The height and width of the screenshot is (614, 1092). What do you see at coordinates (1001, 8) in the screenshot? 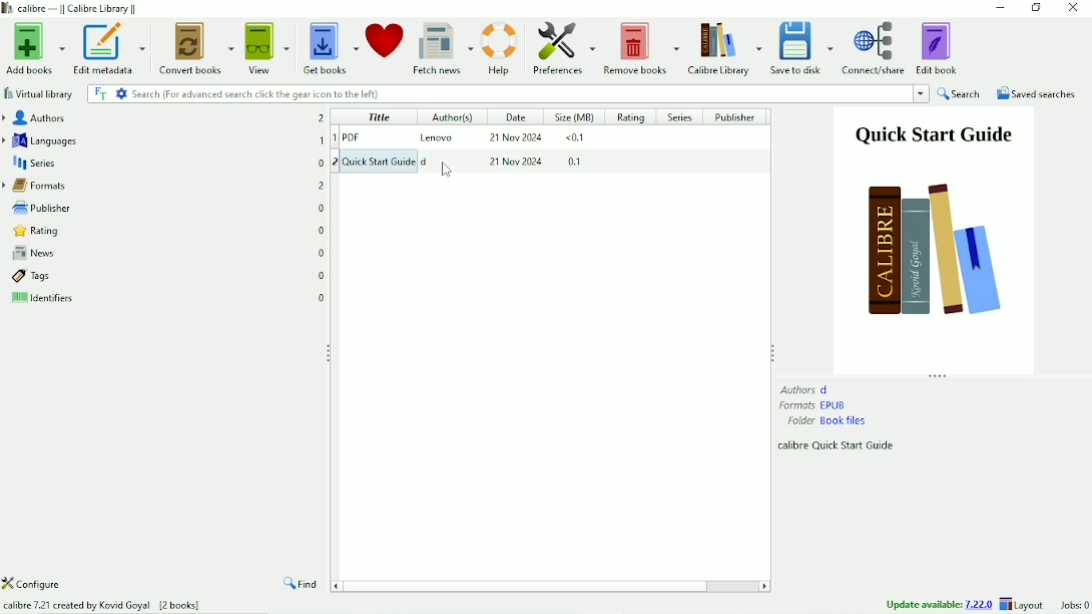
I see `Minimize` at bounding box center [1001, 8].